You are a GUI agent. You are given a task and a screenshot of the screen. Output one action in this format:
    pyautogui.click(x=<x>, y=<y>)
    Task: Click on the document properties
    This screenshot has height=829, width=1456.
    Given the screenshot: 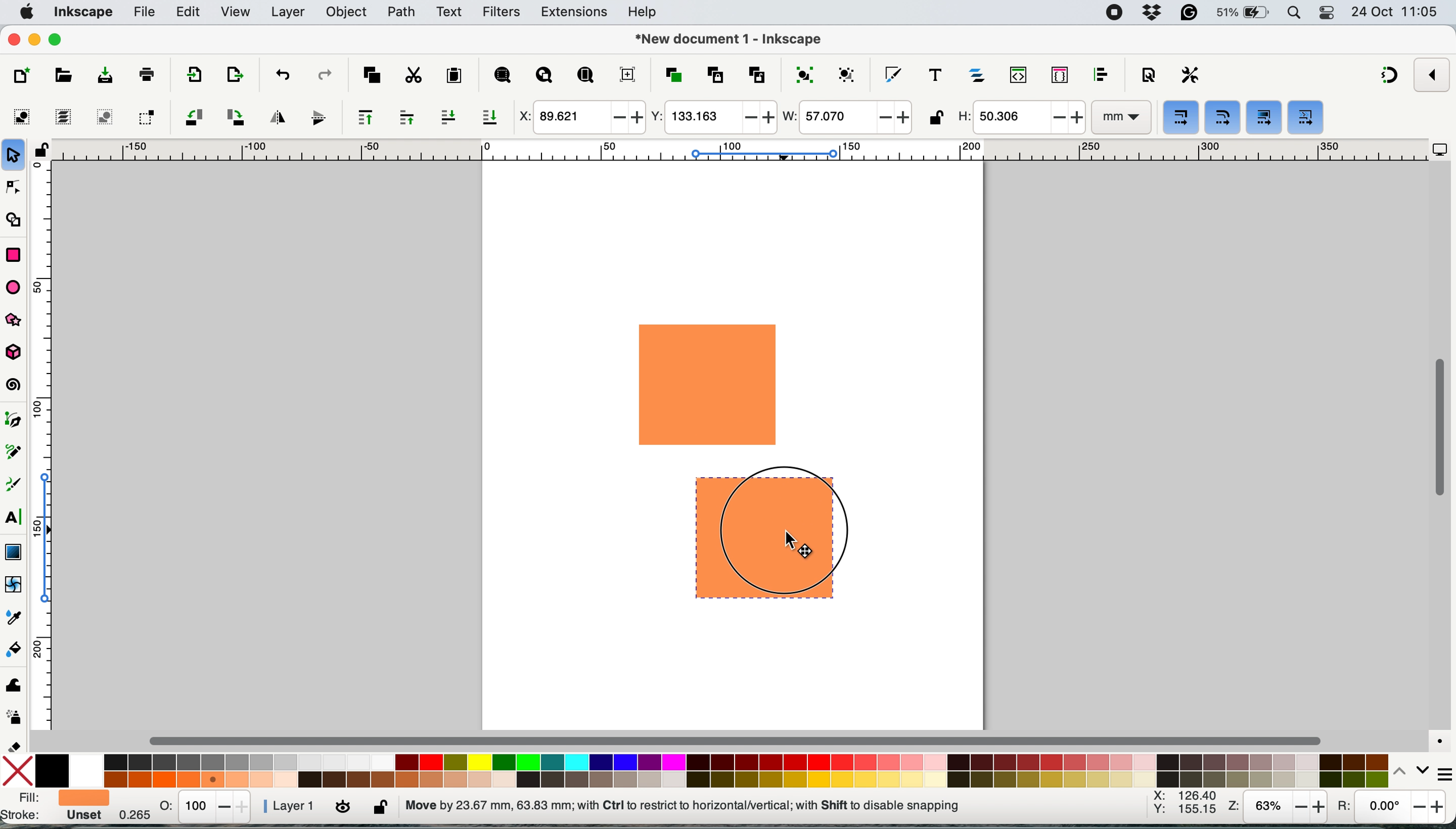 What is the action you would take?
    pyautogui.click(x=1148, y=76)
    